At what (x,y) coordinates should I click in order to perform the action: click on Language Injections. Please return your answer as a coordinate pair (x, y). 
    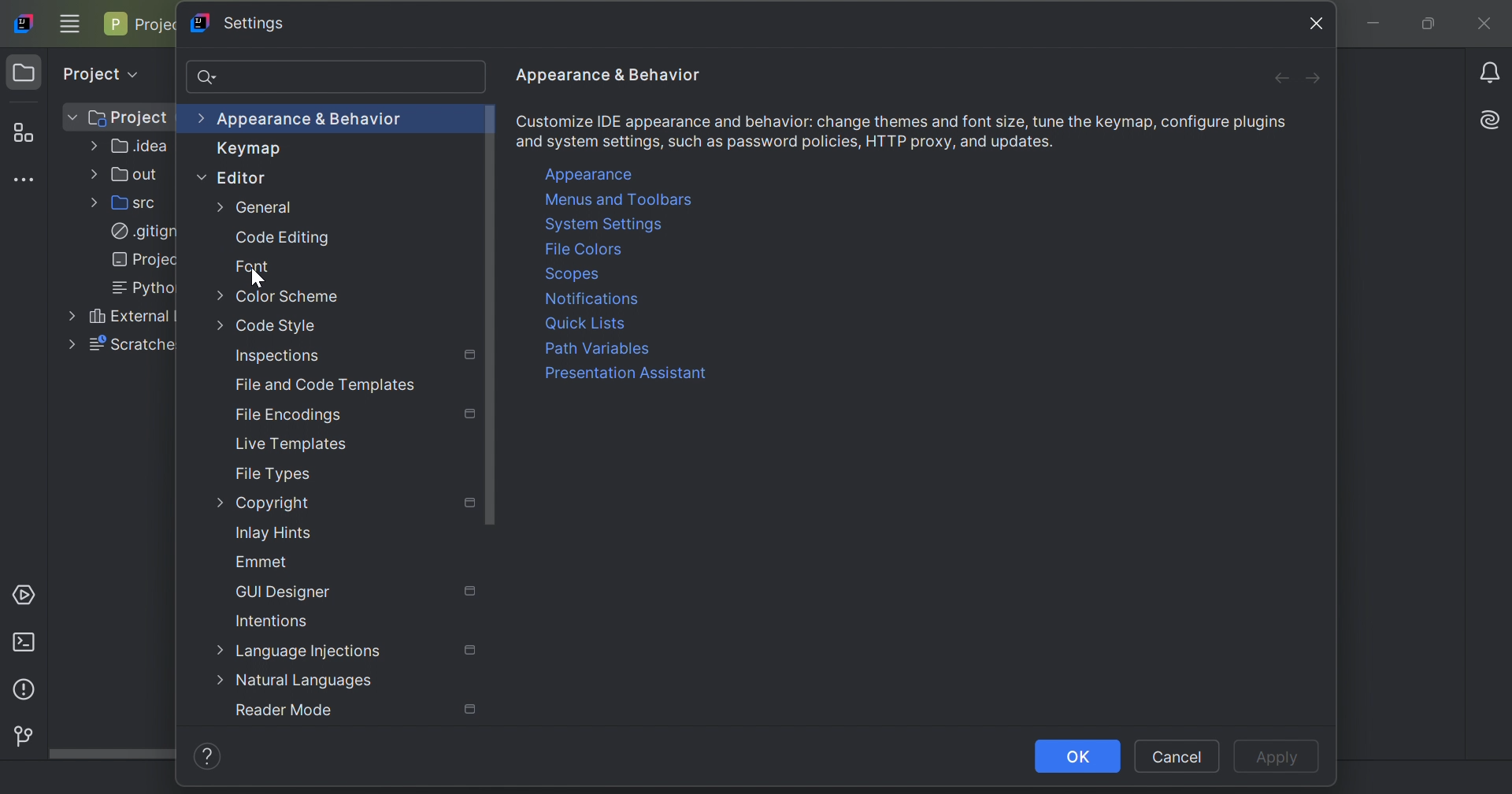
    Looking at the image, I should click on (302, 652).